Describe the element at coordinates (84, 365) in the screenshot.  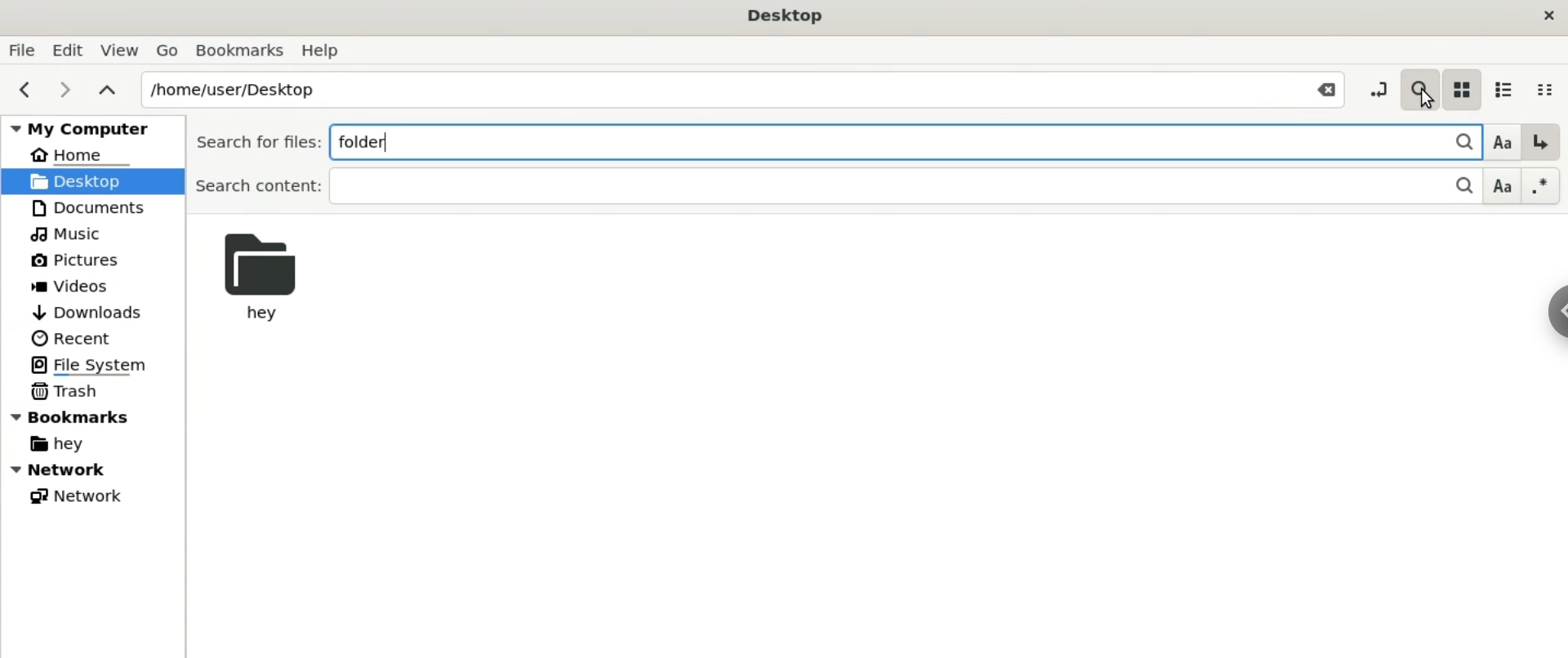
I see `File System` at that location.